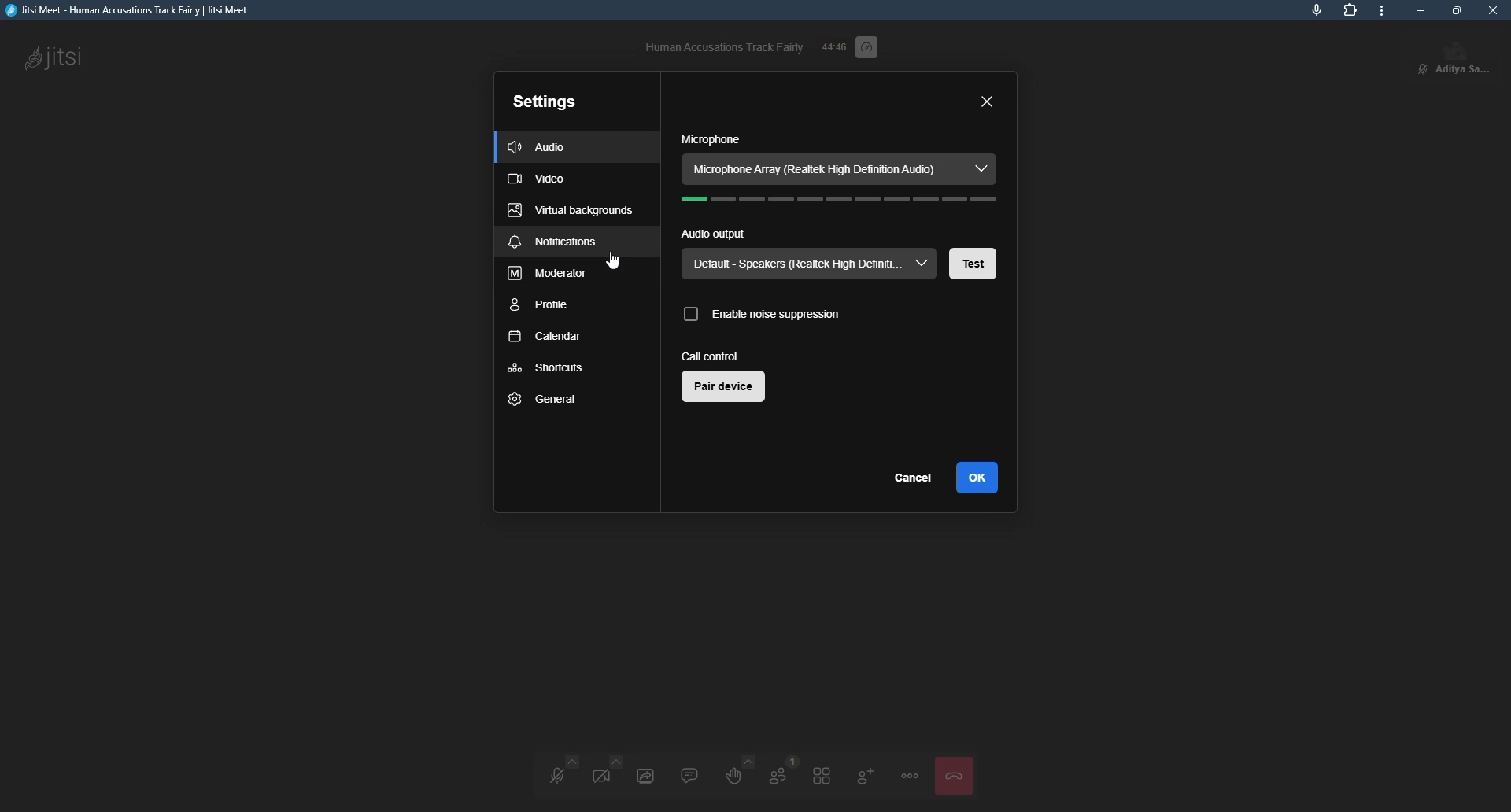 The image size is (1511, 812). Describe the element at coordinates (833, 46) in the screenshot. I see `elapsed time` at that location.